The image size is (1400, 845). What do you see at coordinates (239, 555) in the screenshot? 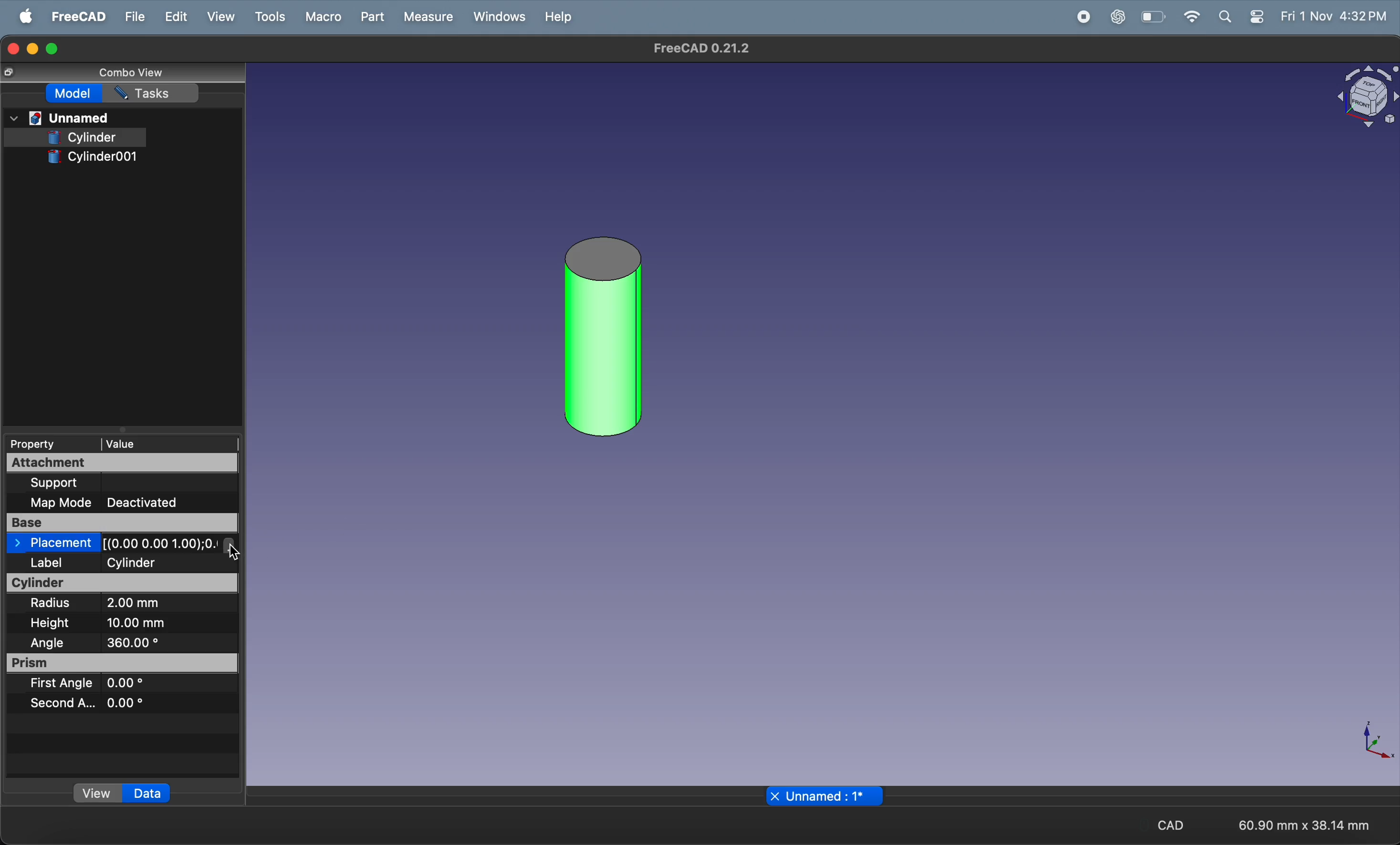
I see `cursor` at bounding box center [239, 555].